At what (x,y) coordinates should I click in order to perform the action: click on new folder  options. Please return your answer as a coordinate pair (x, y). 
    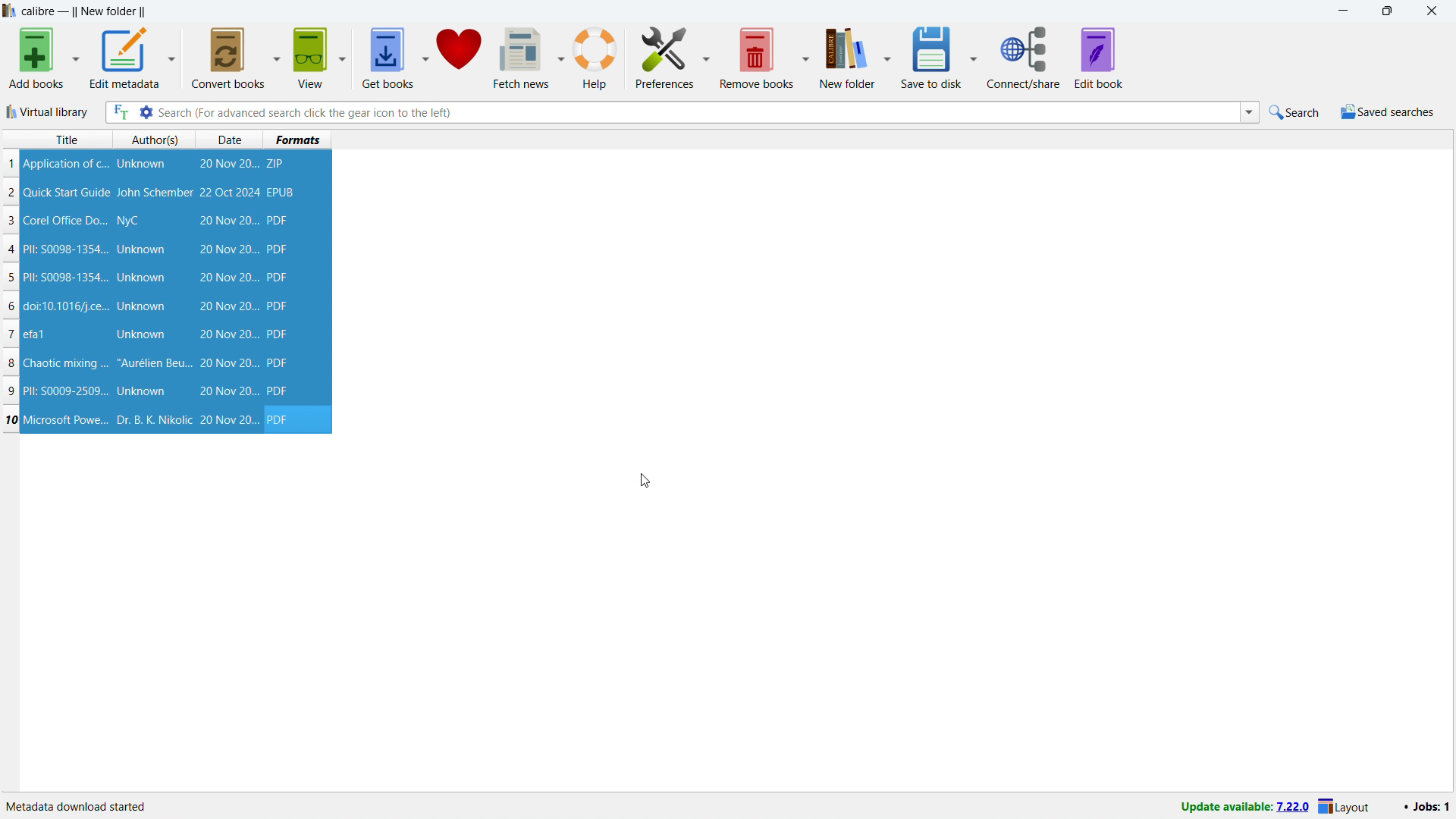
    Looking at the image, I should click on (889, 57).